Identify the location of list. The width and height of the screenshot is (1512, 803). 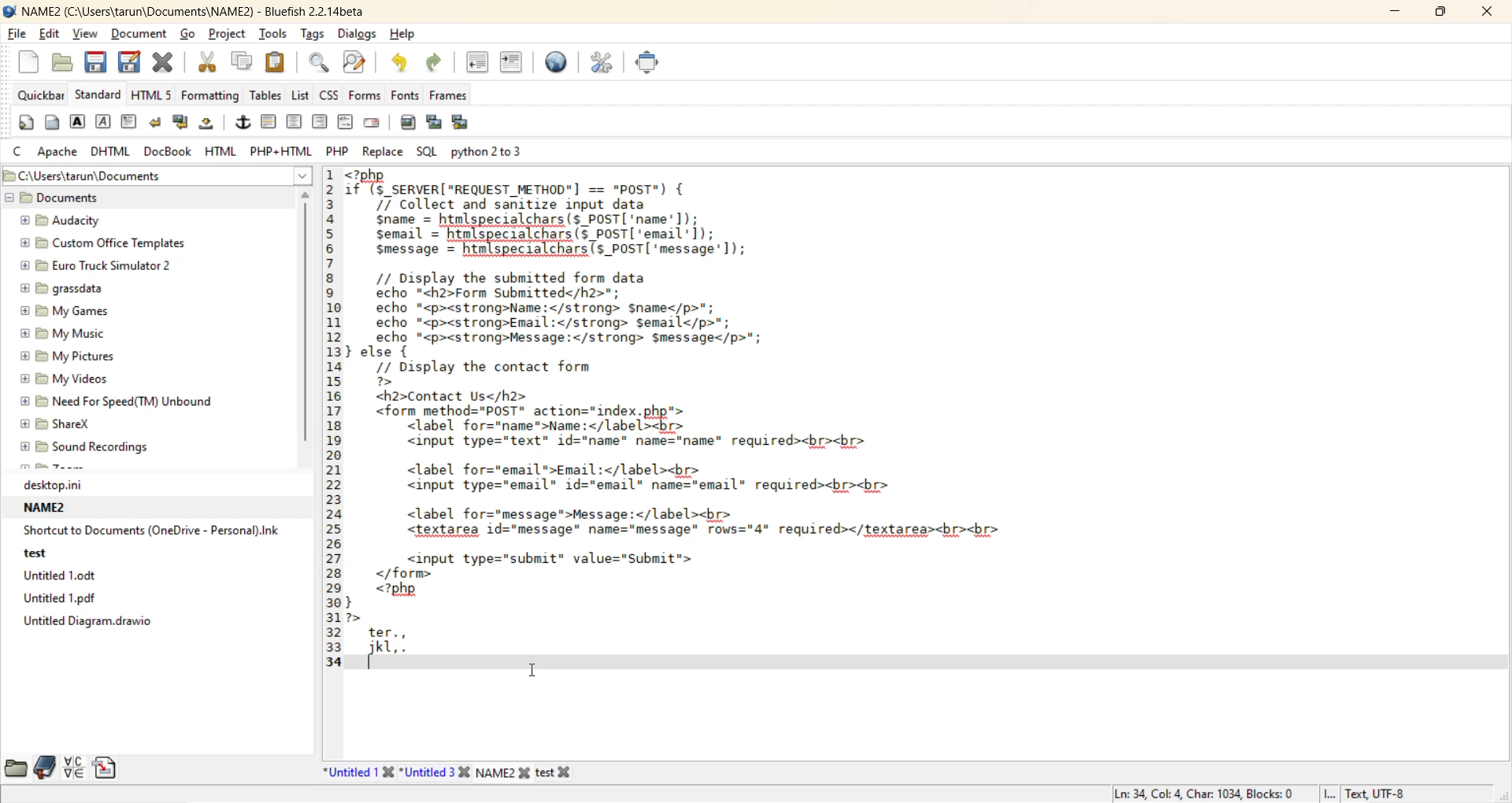
(302, 97).